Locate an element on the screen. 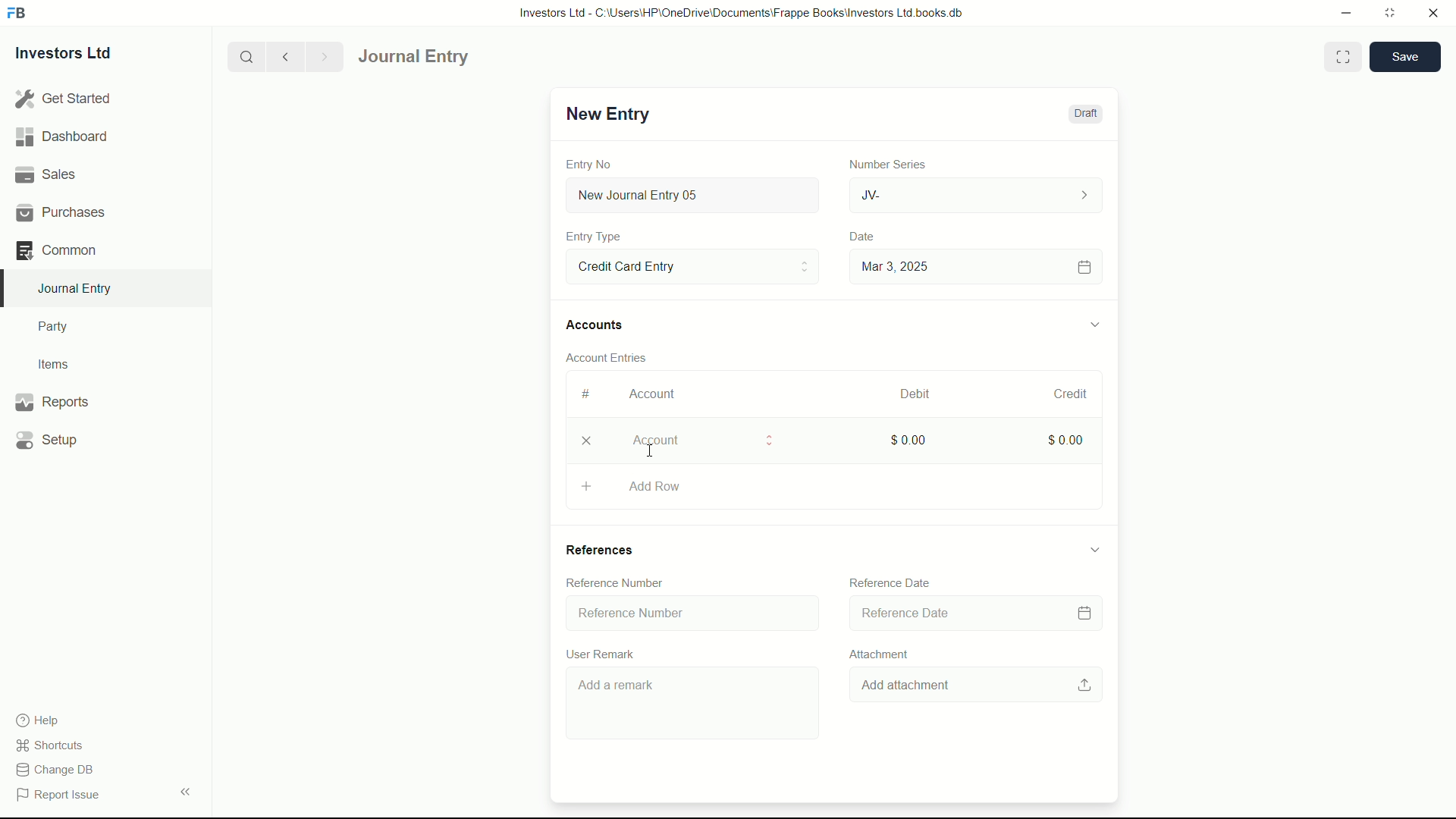 The height and width of the screenshot is (819, 1456). User Remark is located at coordinates (602, 653).